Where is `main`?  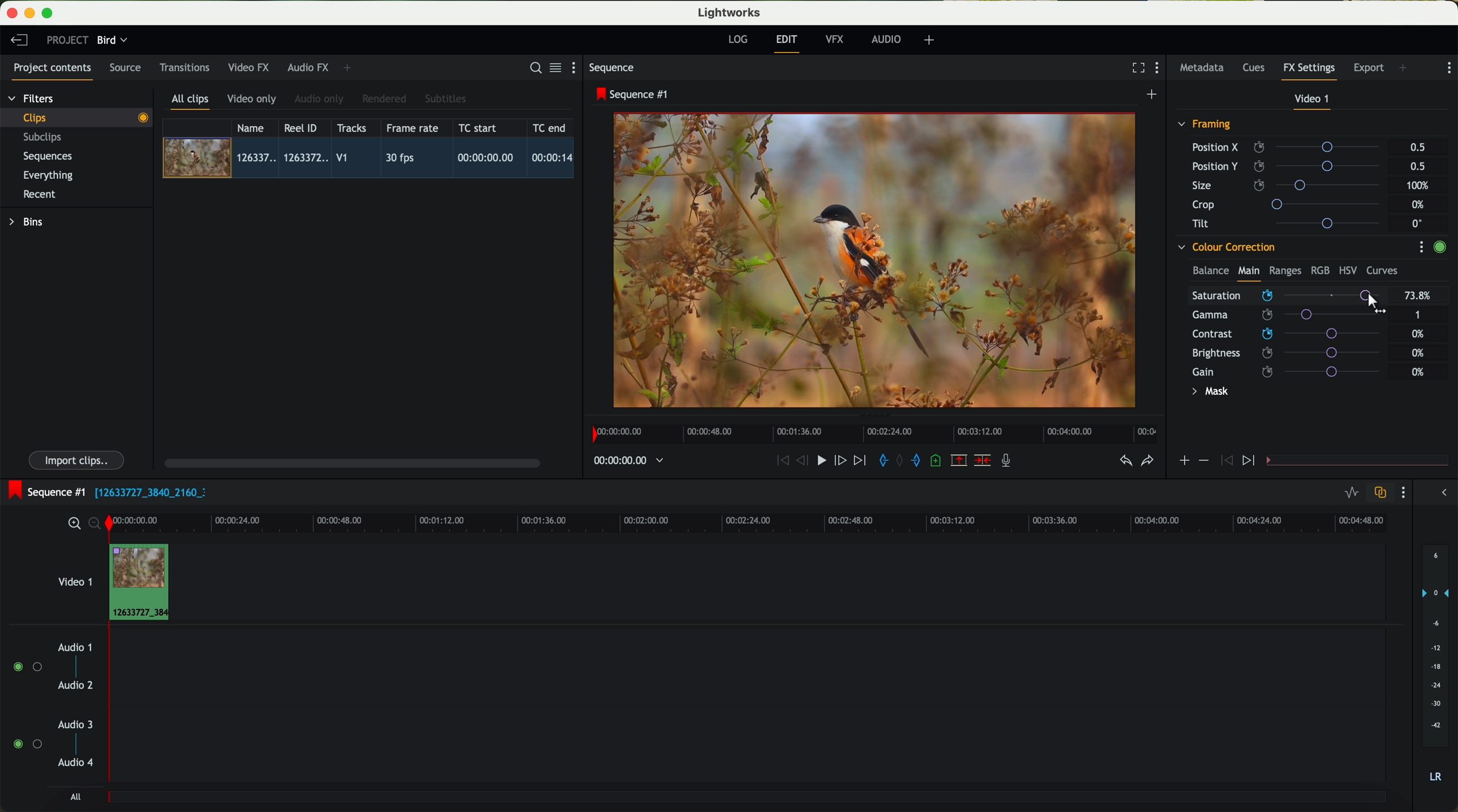 main is located at coordinates (1249, 273).